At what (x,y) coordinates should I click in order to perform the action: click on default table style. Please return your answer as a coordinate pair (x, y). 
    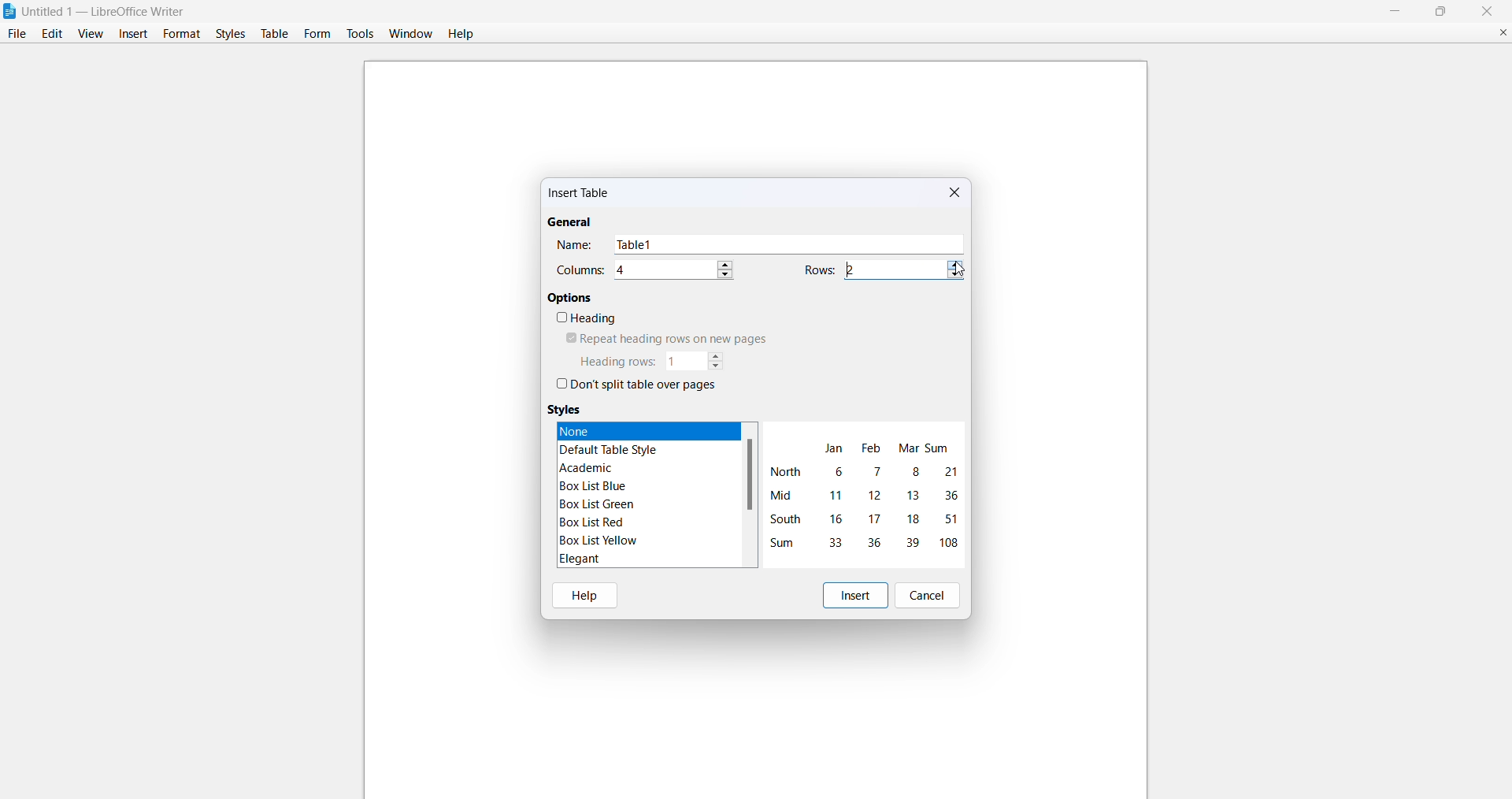
    Looking at the image, I should click on (614, 449).